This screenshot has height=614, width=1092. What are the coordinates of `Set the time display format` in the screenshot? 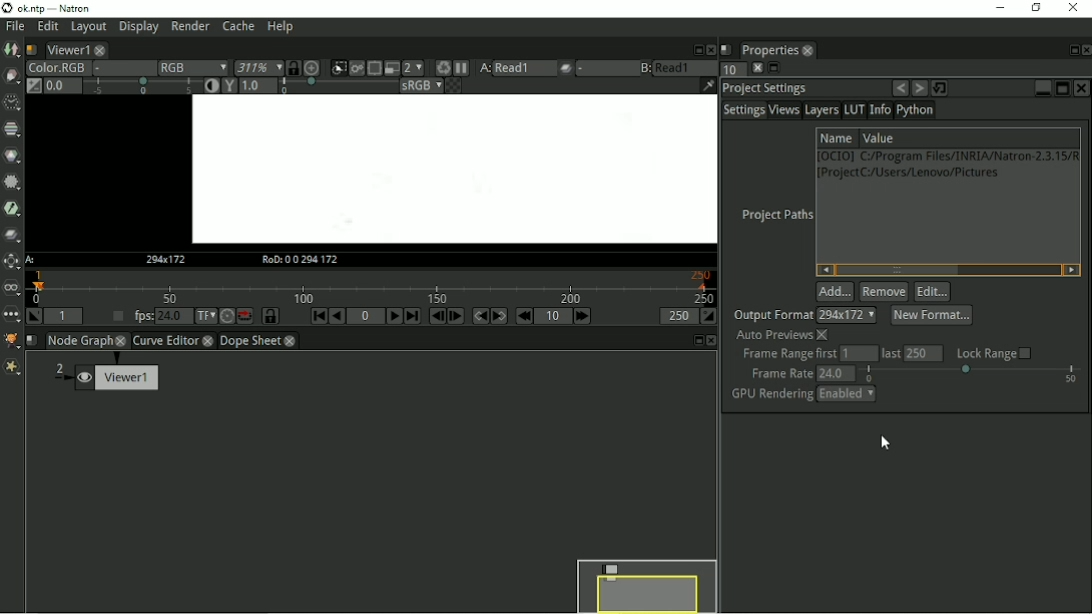 It's located at (206, 316).